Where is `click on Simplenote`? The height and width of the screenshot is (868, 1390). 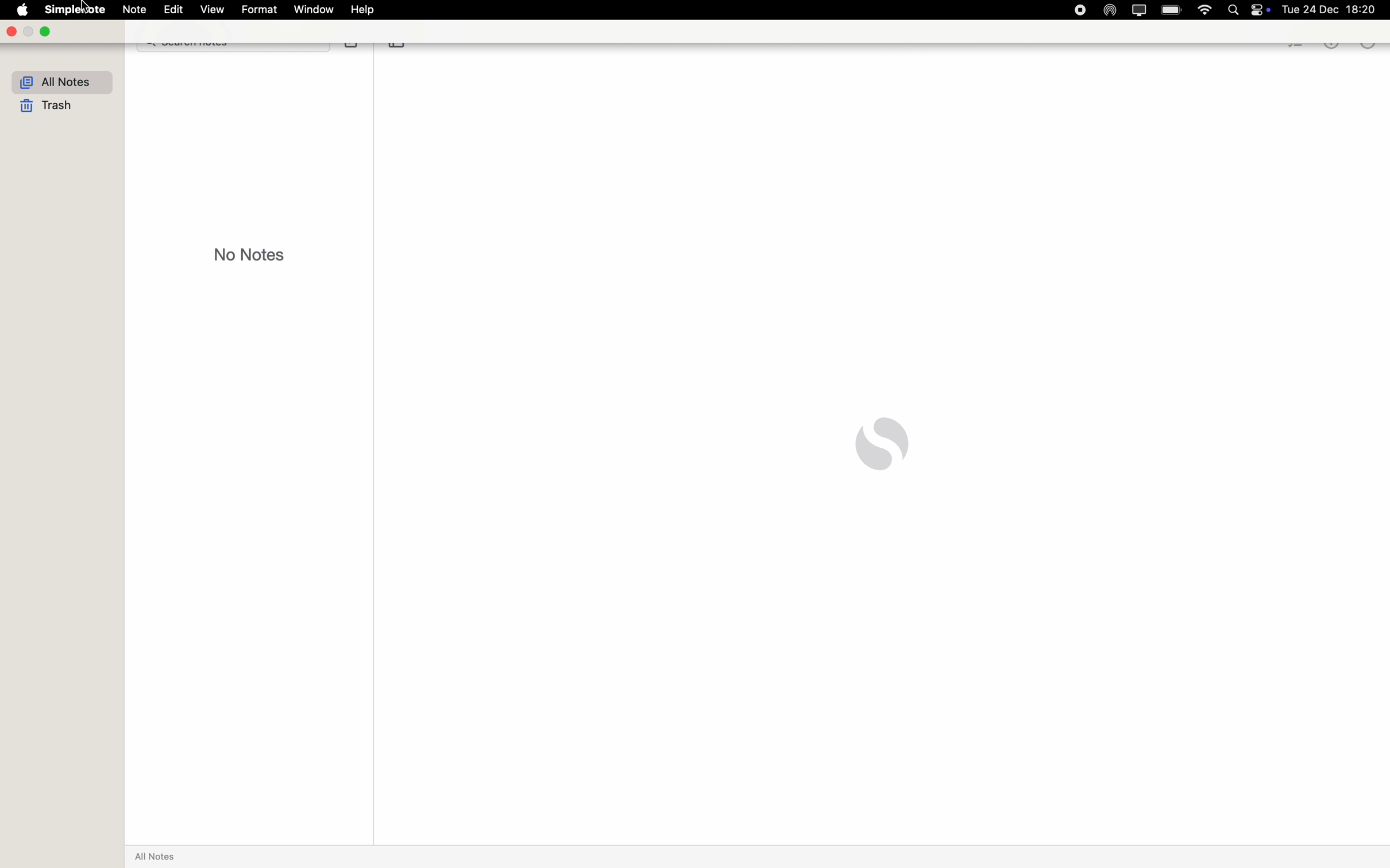
click on Simplenote is located at coordinates (72, 9).